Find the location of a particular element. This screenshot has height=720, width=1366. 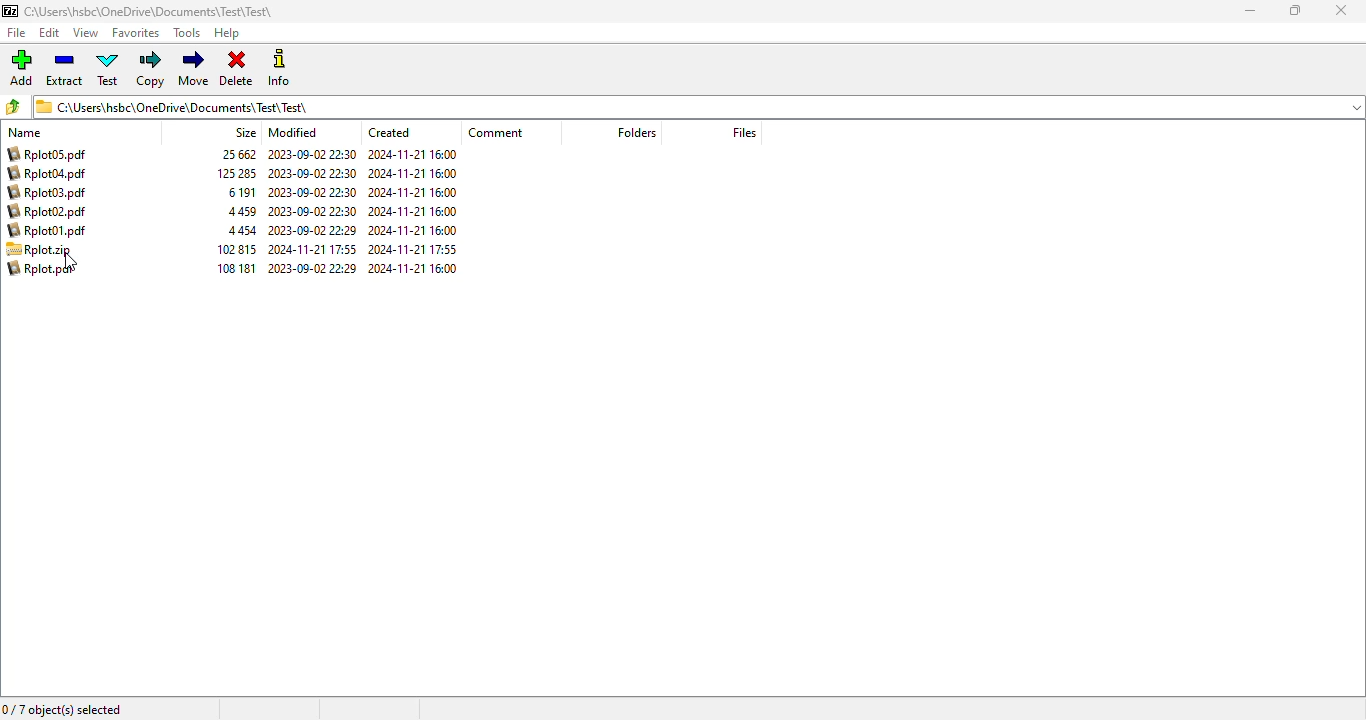

2024-11-21 16:00 is located at coordinates (412, 230).